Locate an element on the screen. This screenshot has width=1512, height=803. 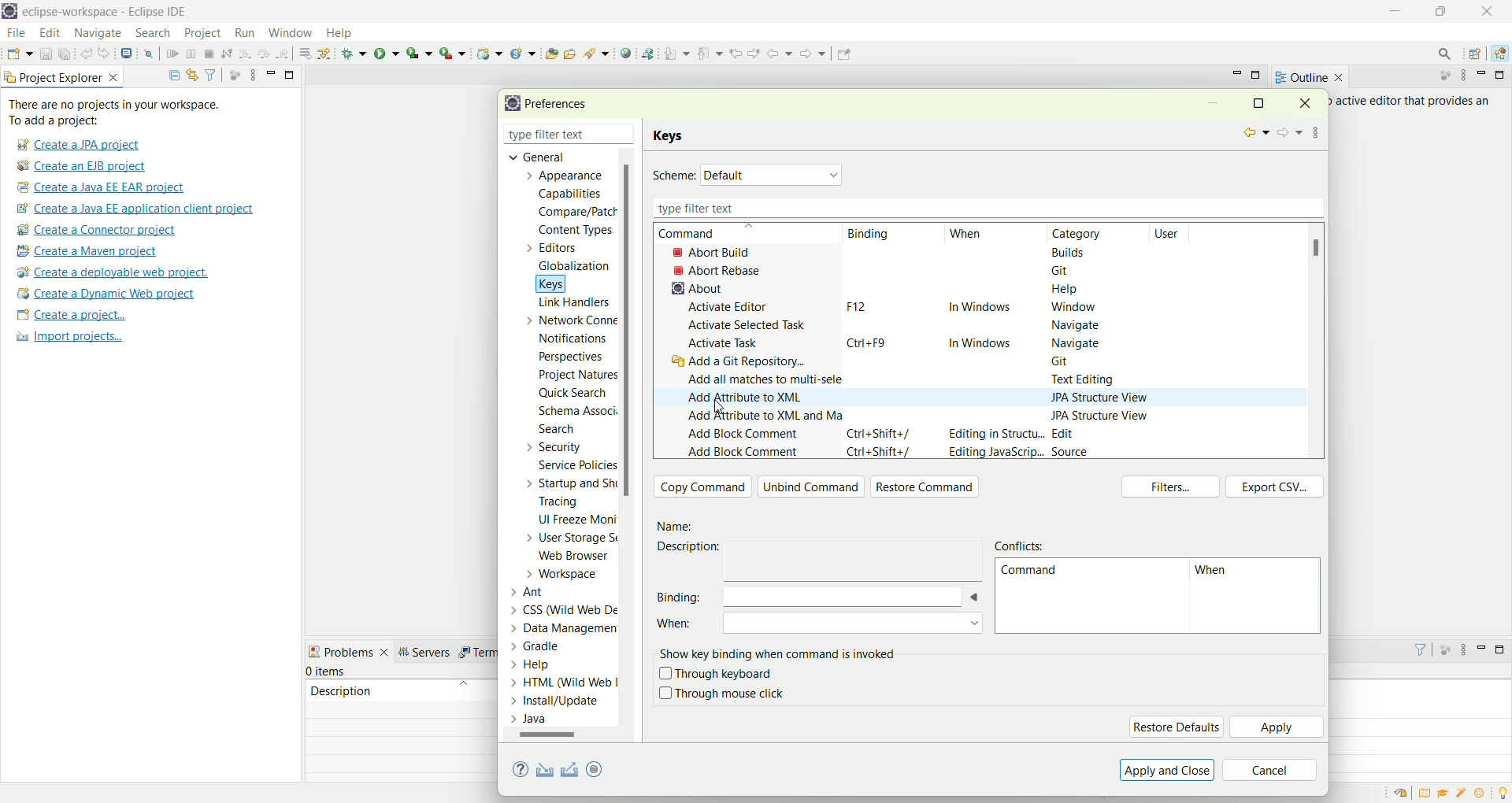
add attribute to XML is located at coordinates (745, 398).